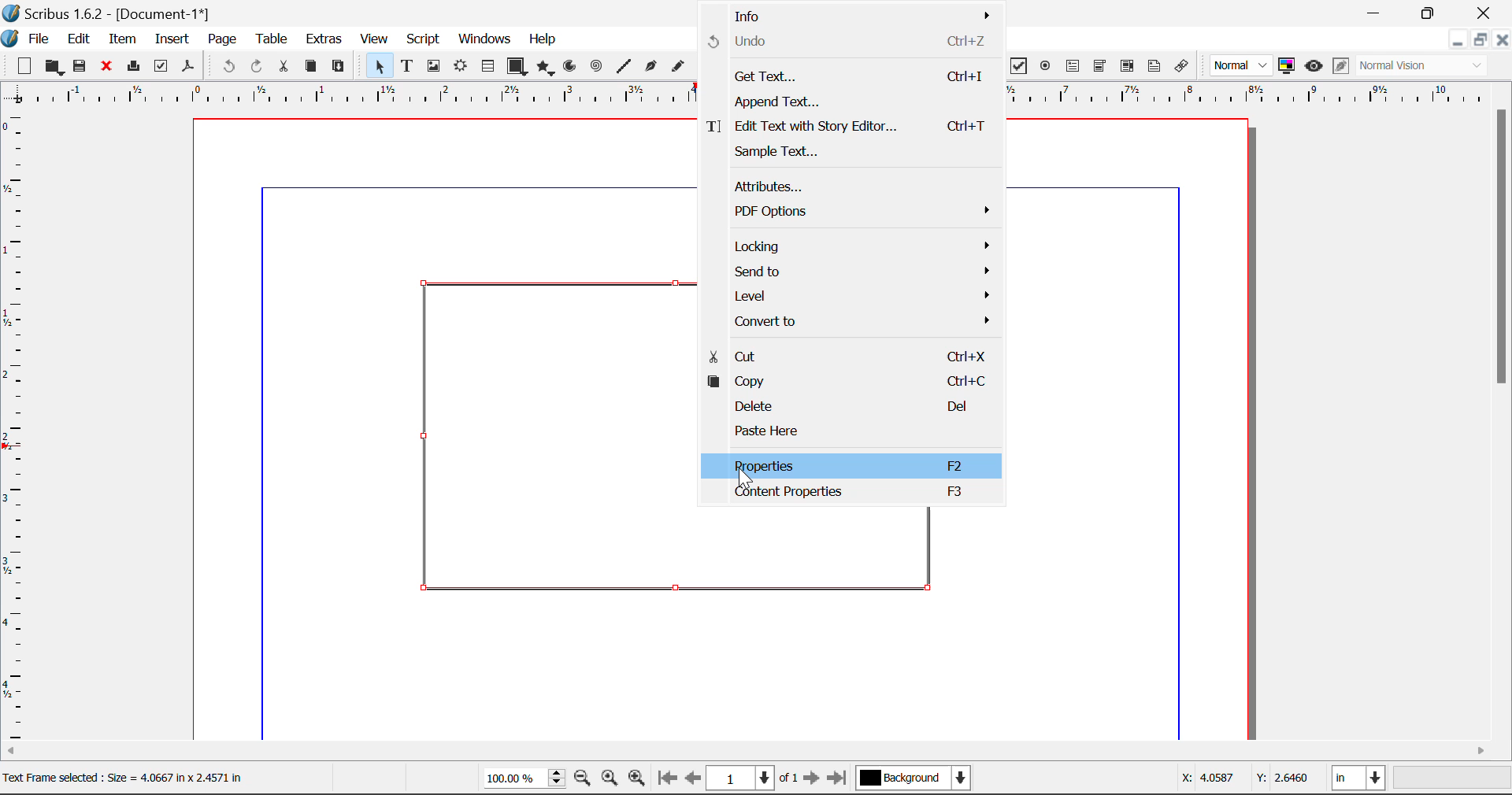 The image size is (1512, 795). I want to click on Edit, so click(79, 38).